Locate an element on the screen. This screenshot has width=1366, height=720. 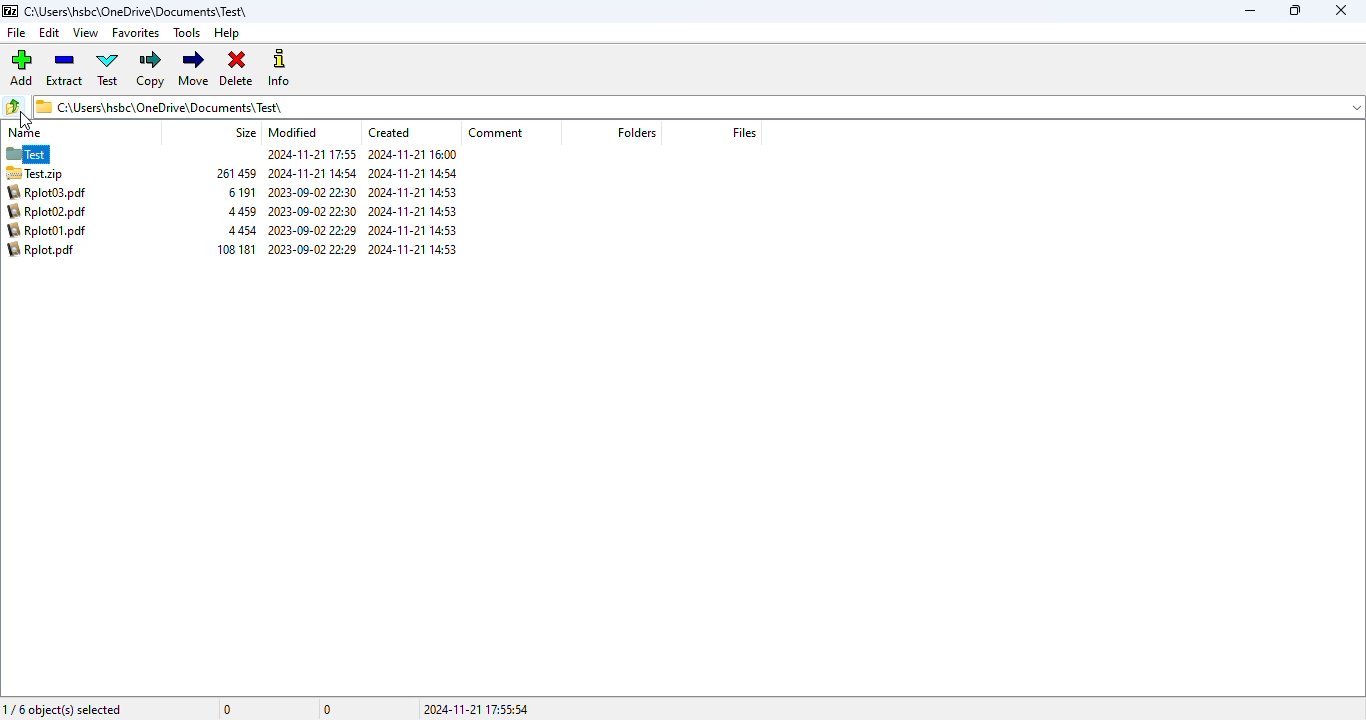
copy is located at coordinates (152, 69).